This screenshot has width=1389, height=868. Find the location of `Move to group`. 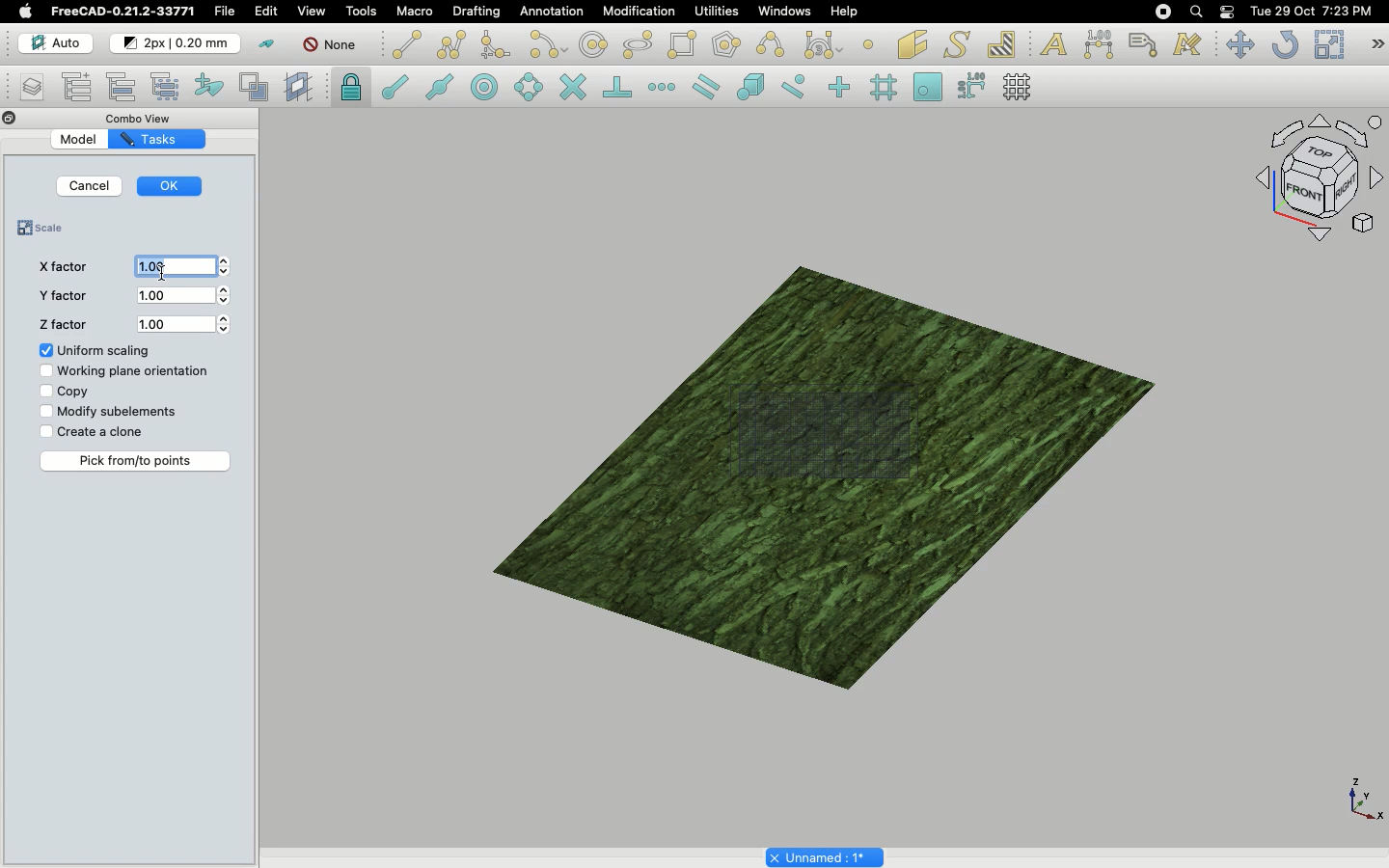

Move to group is located at coordinates (123, 86).